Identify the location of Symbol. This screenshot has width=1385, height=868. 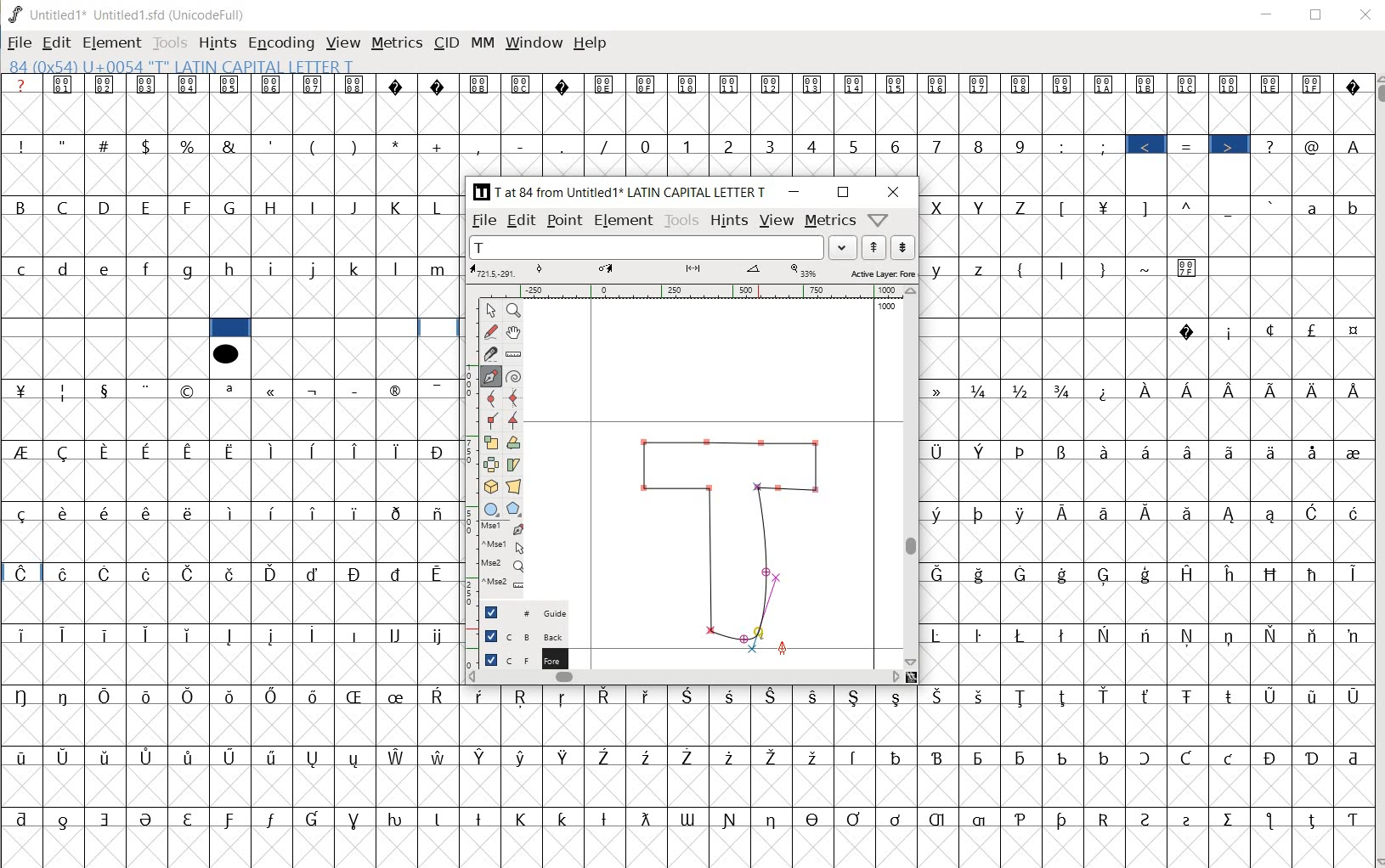
(1314, 819).